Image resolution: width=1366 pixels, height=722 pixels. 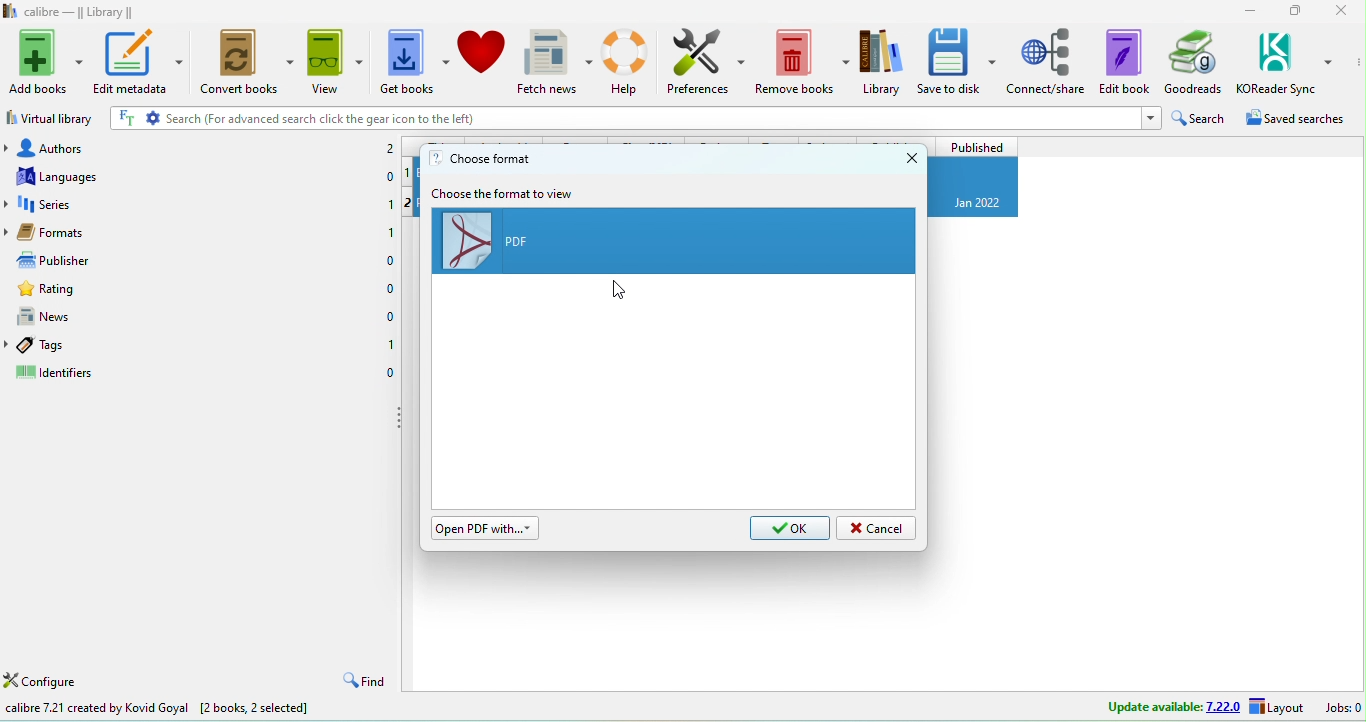 What do you see at coordinates (9, 344) in the screenshot?
I see `drop down` at bounding box center [9, 344].